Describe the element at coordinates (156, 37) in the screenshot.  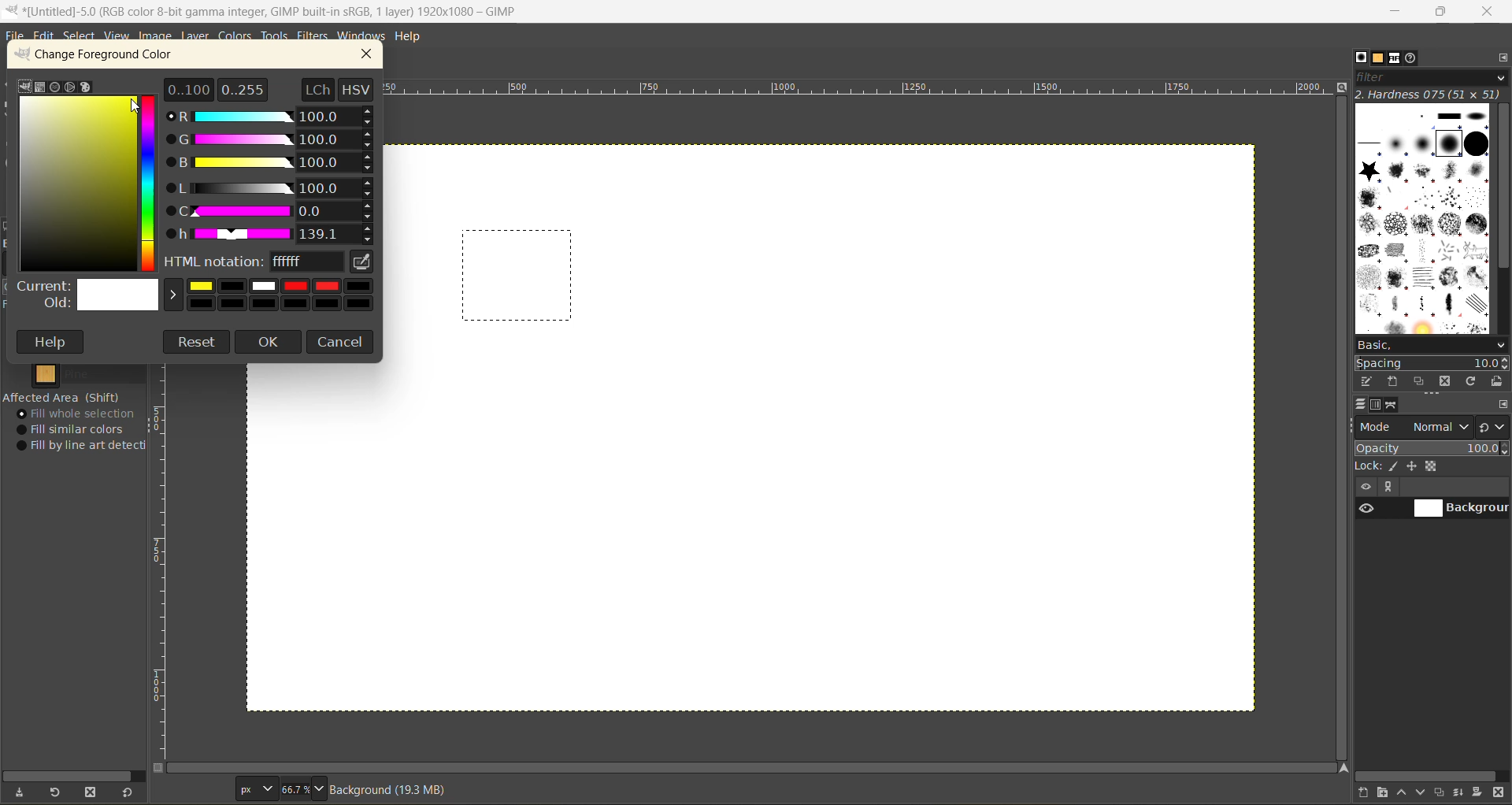
I see `image` at that location.